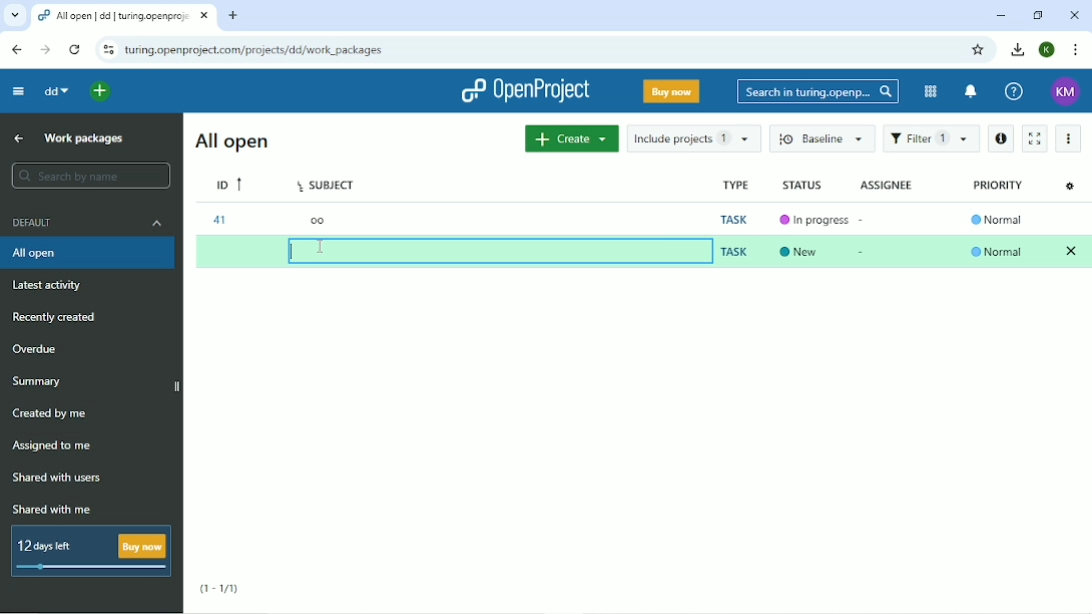 The height and width of the screenshot is (614, 1092). Describe the element at coordinates (318, 222) in the screenshot. I see `oo` at that location.